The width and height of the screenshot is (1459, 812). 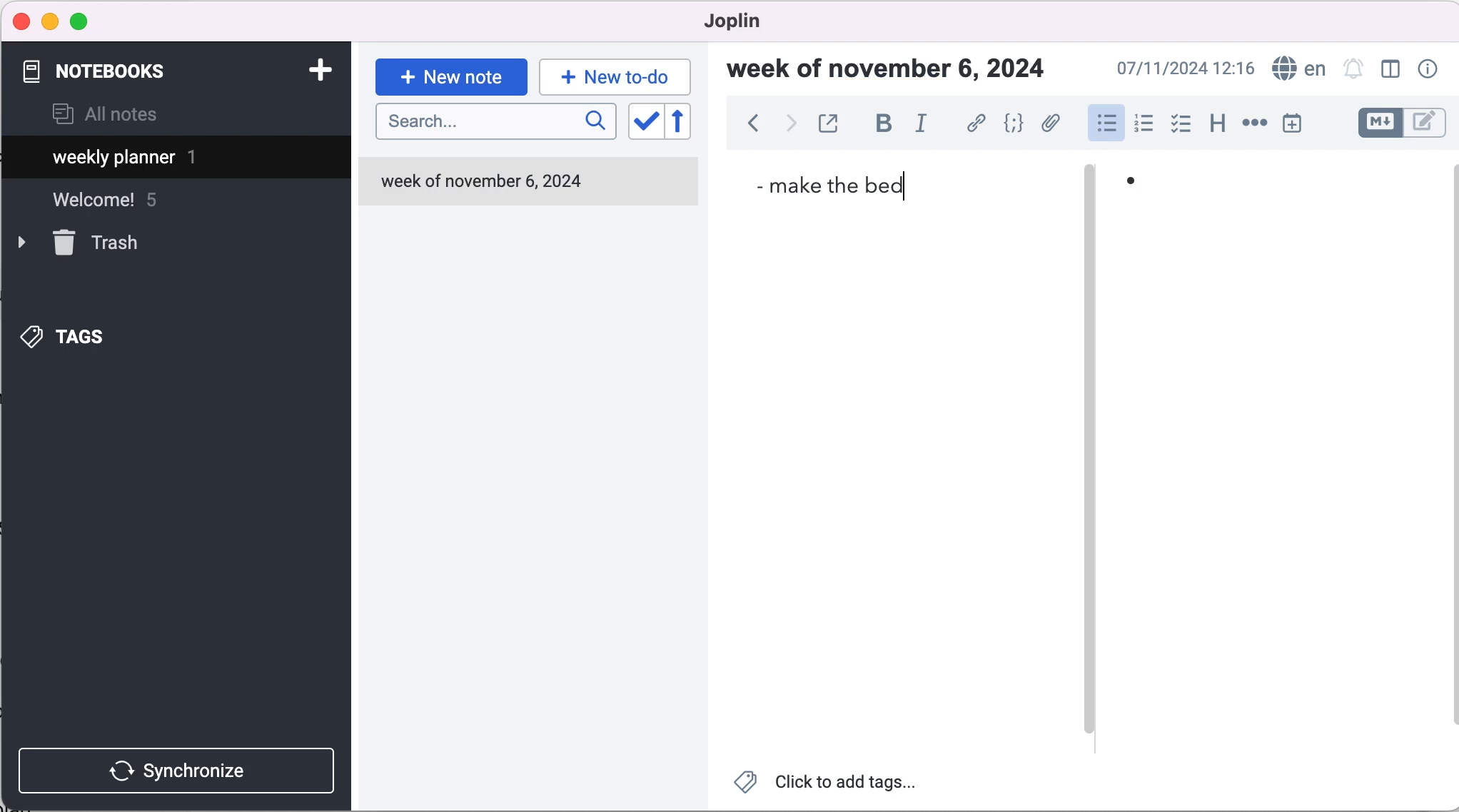 I want to click on close, so click(x=22, y=21).